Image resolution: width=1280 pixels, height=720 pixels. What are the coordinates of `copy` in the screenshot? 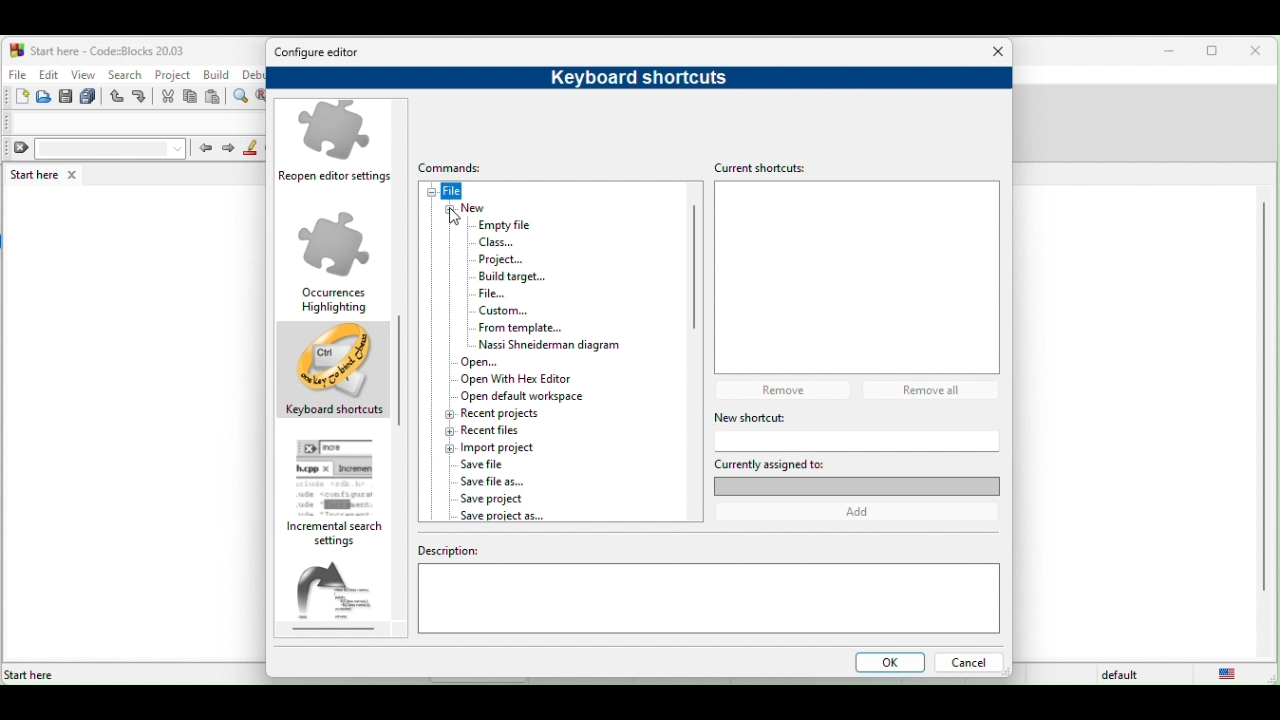 It's located at (191, 98).